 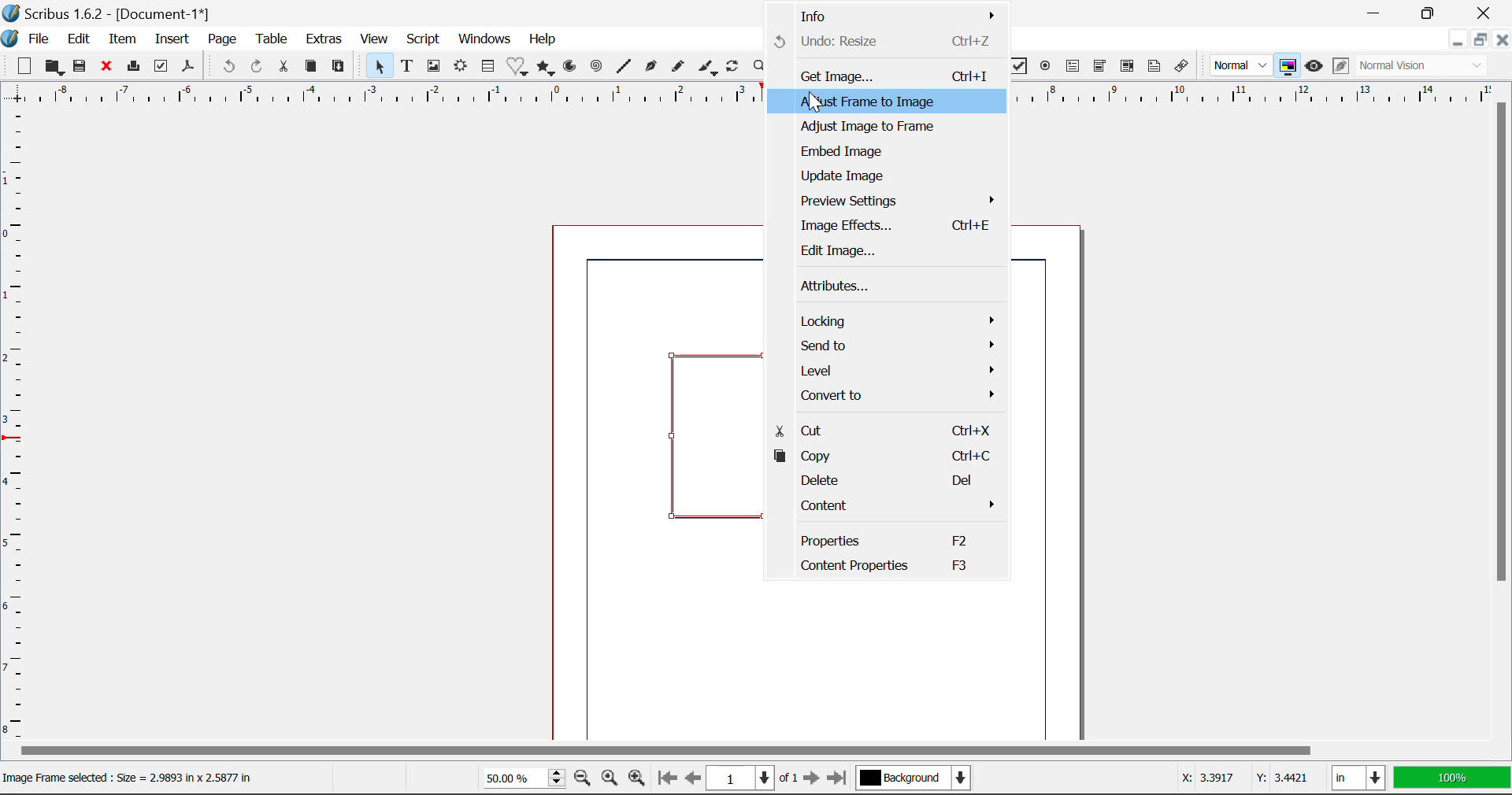 What do you see at coordinates (378, 66) in the screenshot?
I see `Select` at bounding box center [378, 66].